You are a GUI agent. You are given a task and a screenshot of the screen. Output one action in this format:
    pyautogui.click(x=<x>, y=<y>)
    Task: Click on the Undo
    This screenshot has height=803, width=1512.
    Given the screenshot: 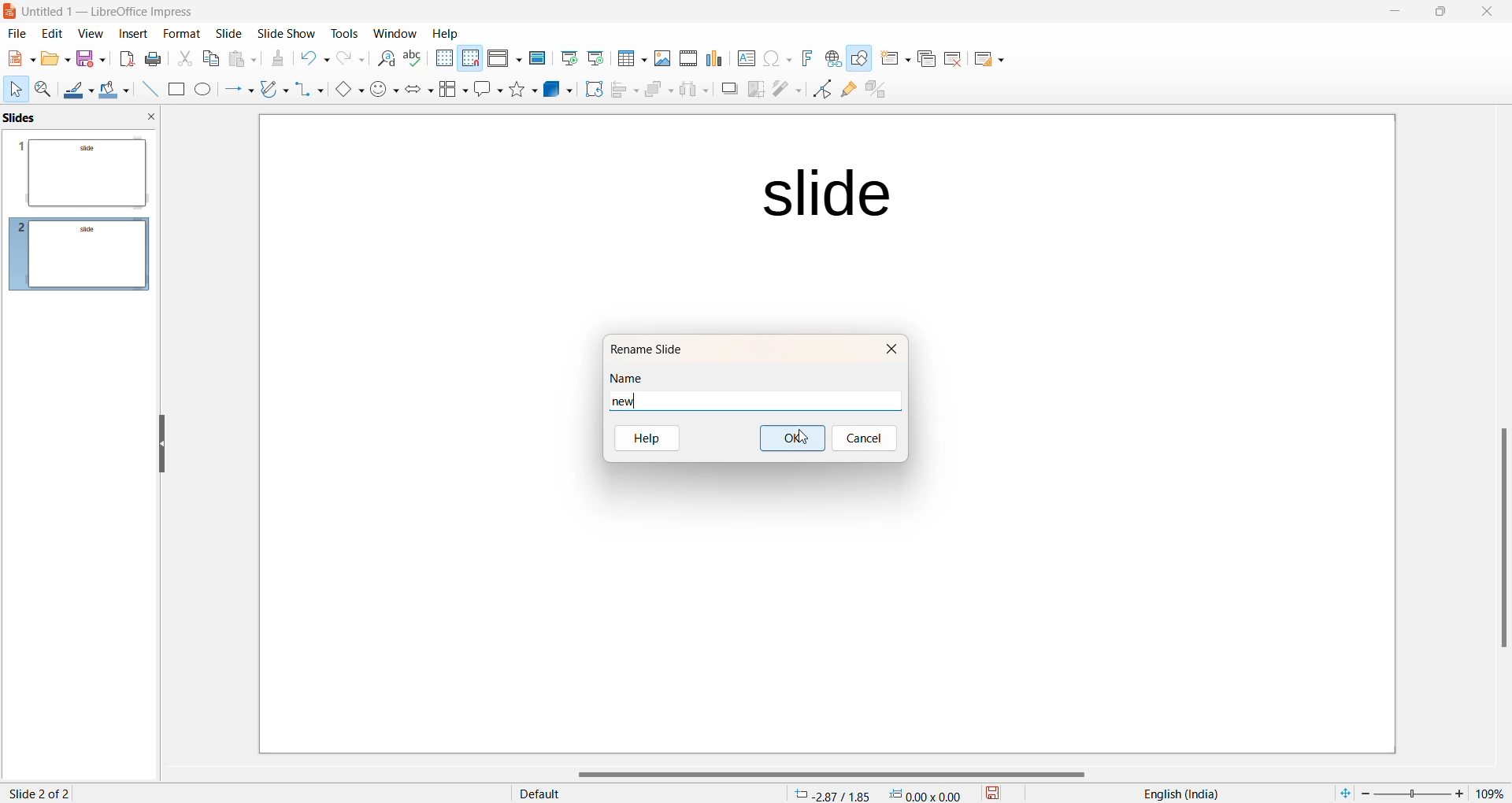 What is the action you would take?
    pyautogui.click(x=315, y=56)
    